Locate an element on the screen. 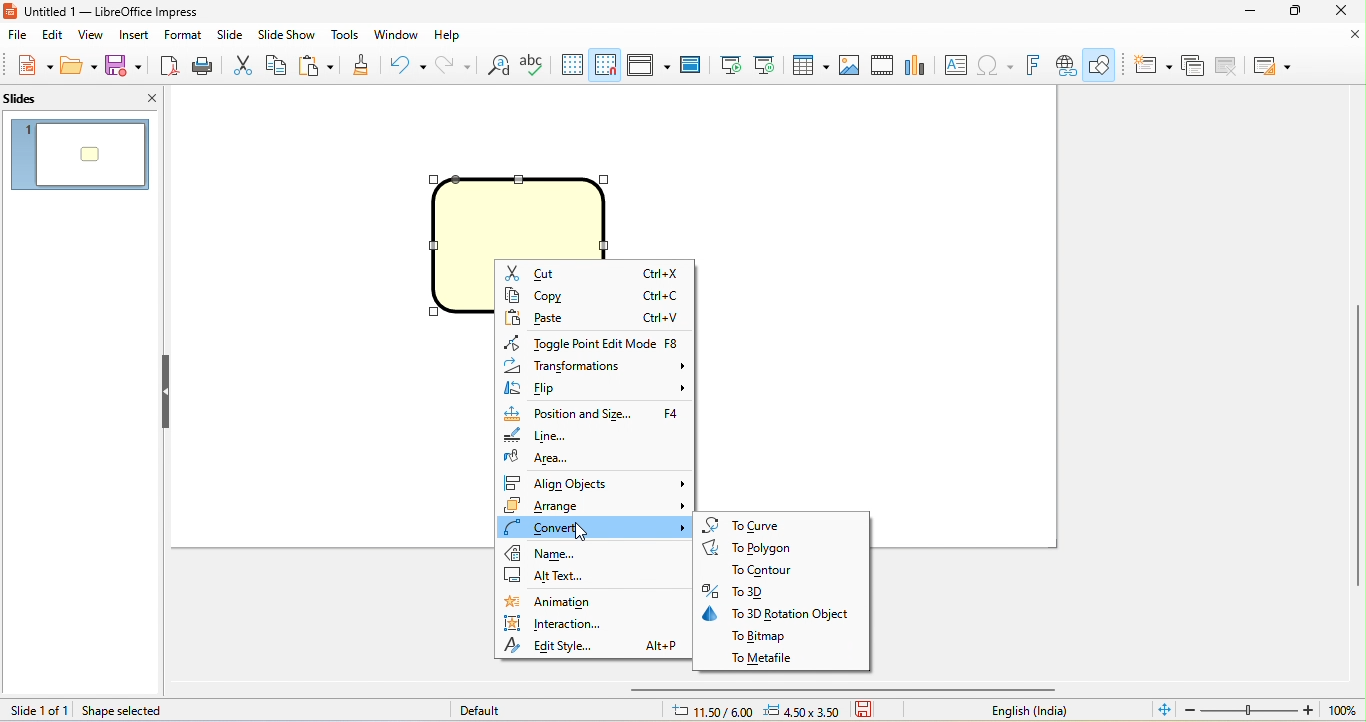 This screenshot has height=722, width=1366. open is located at coordinates (77, 64).